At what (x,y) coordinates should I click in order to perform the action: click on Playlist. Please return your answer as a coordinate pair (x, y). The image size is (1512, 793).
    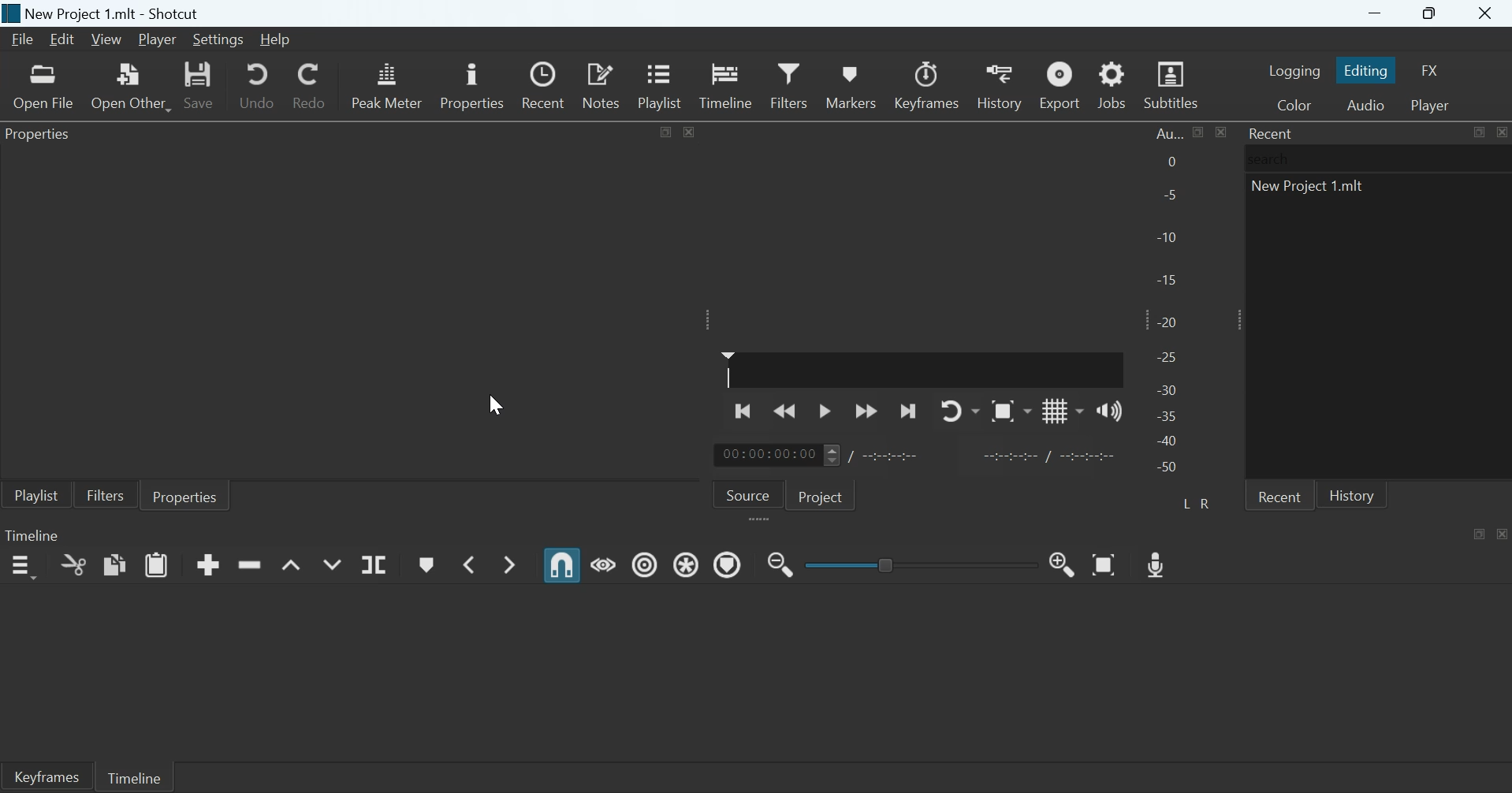
    Looking at the image, I should click on (36, 494).